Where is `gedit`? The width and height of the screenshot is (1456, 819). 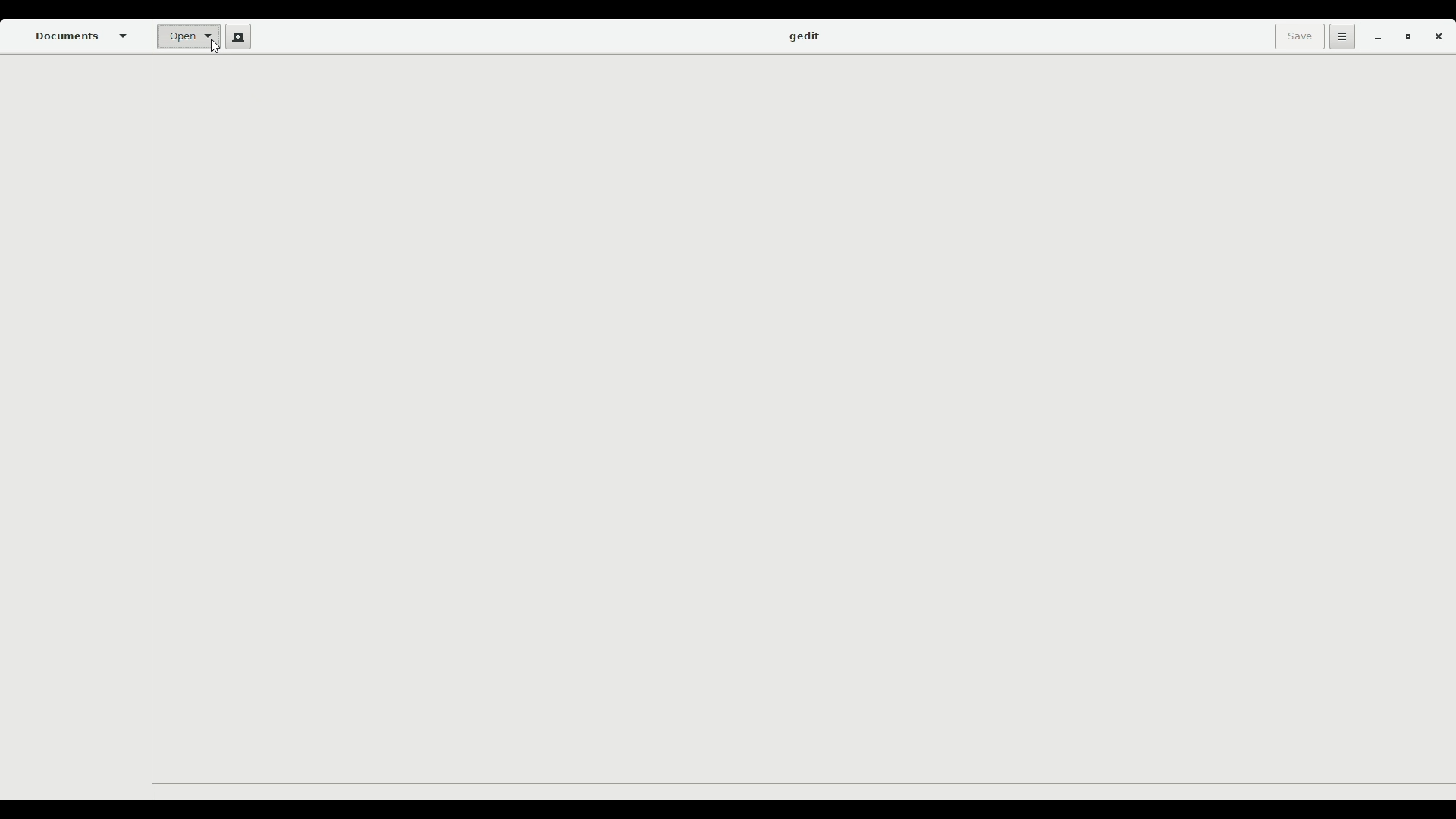
gedit is located at coordinates (803, 37).